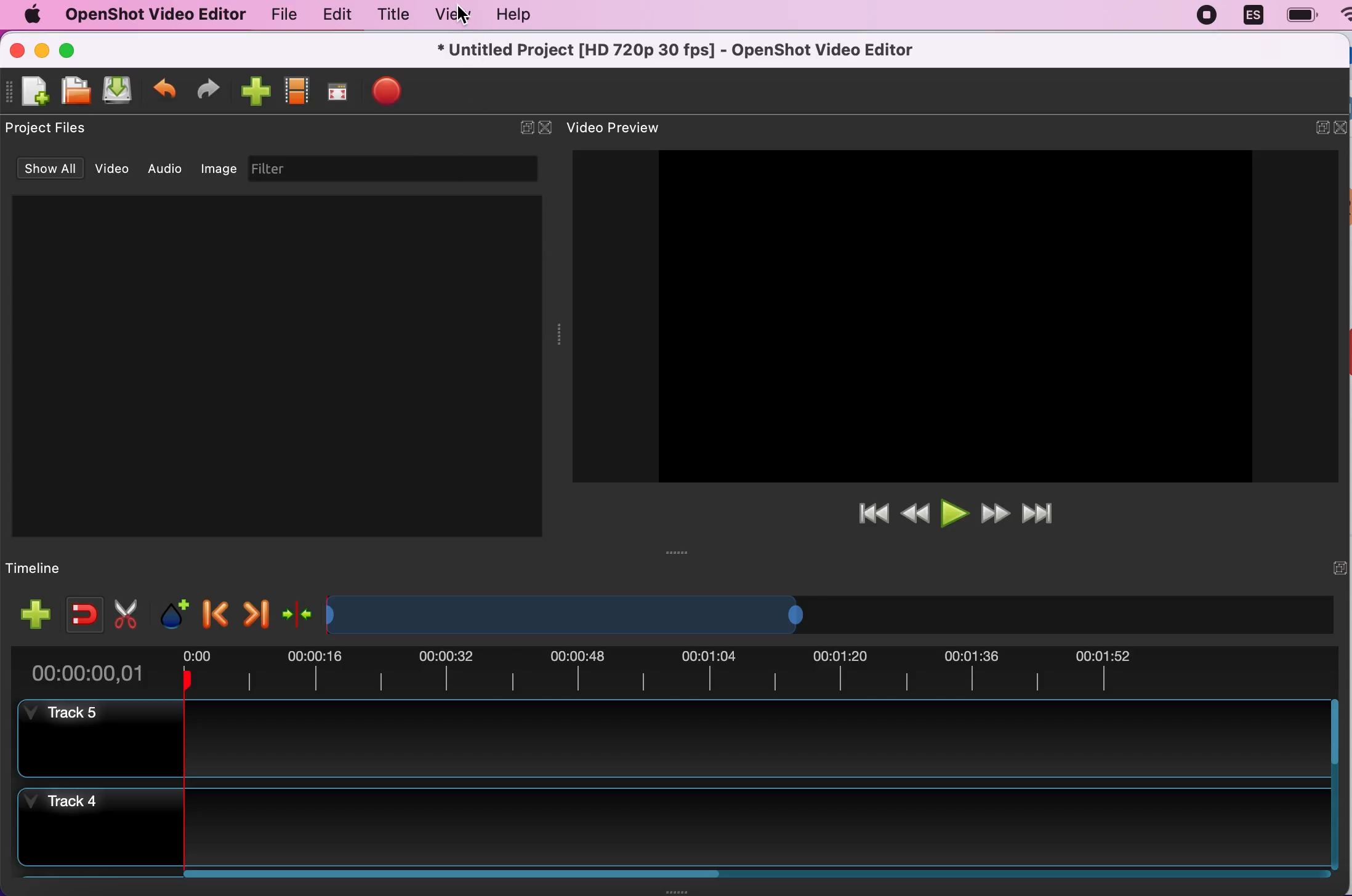 The height and width of the screenshot is (896, 1352). What do you see at coordinates (337, 93) in the screenshot?
I see `full screen` at bounding box center [337, 93].